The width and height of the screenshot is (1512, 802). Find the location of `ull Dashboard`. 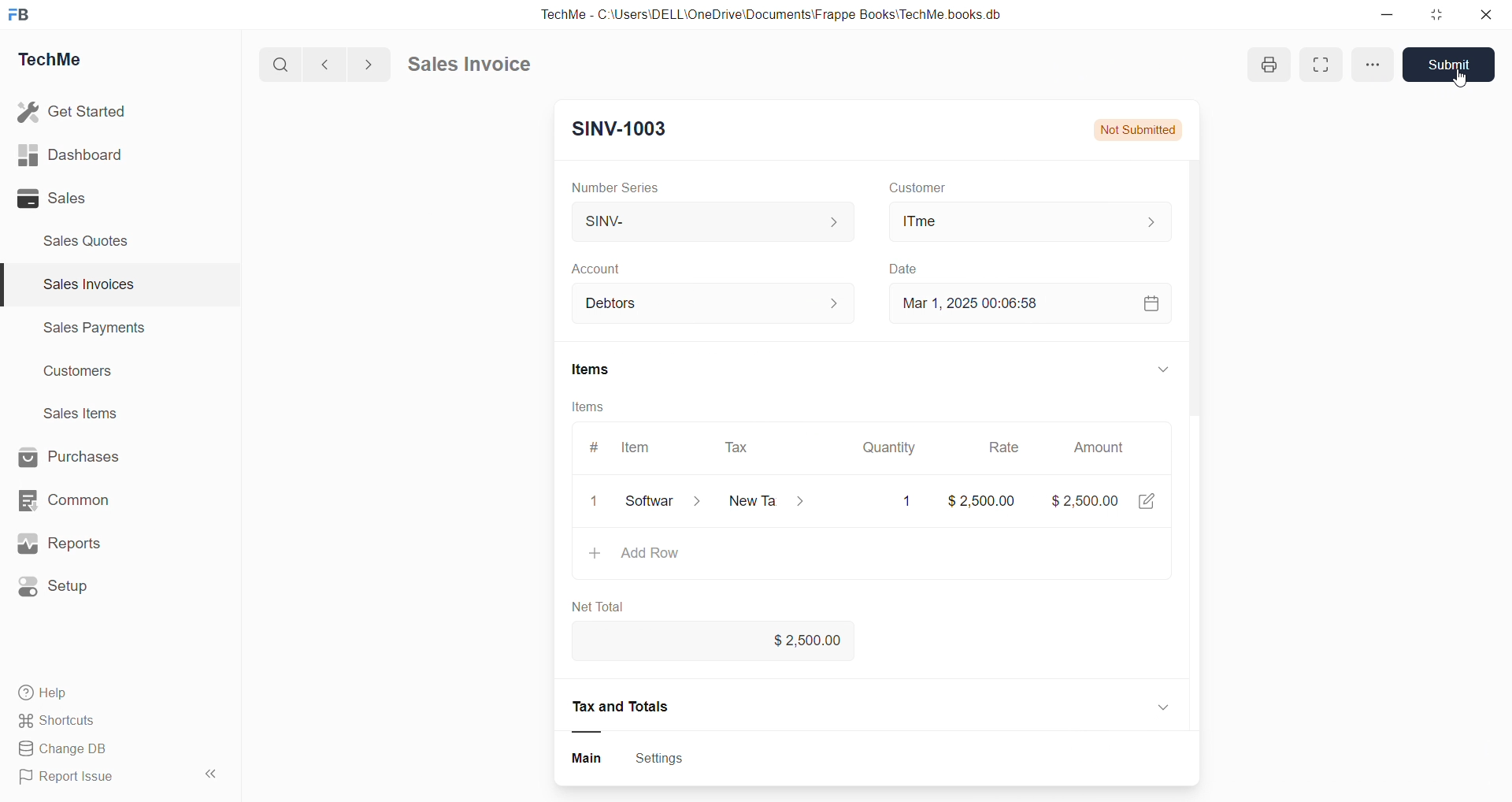

ull Dashboard is located at coordinates (78, 154).